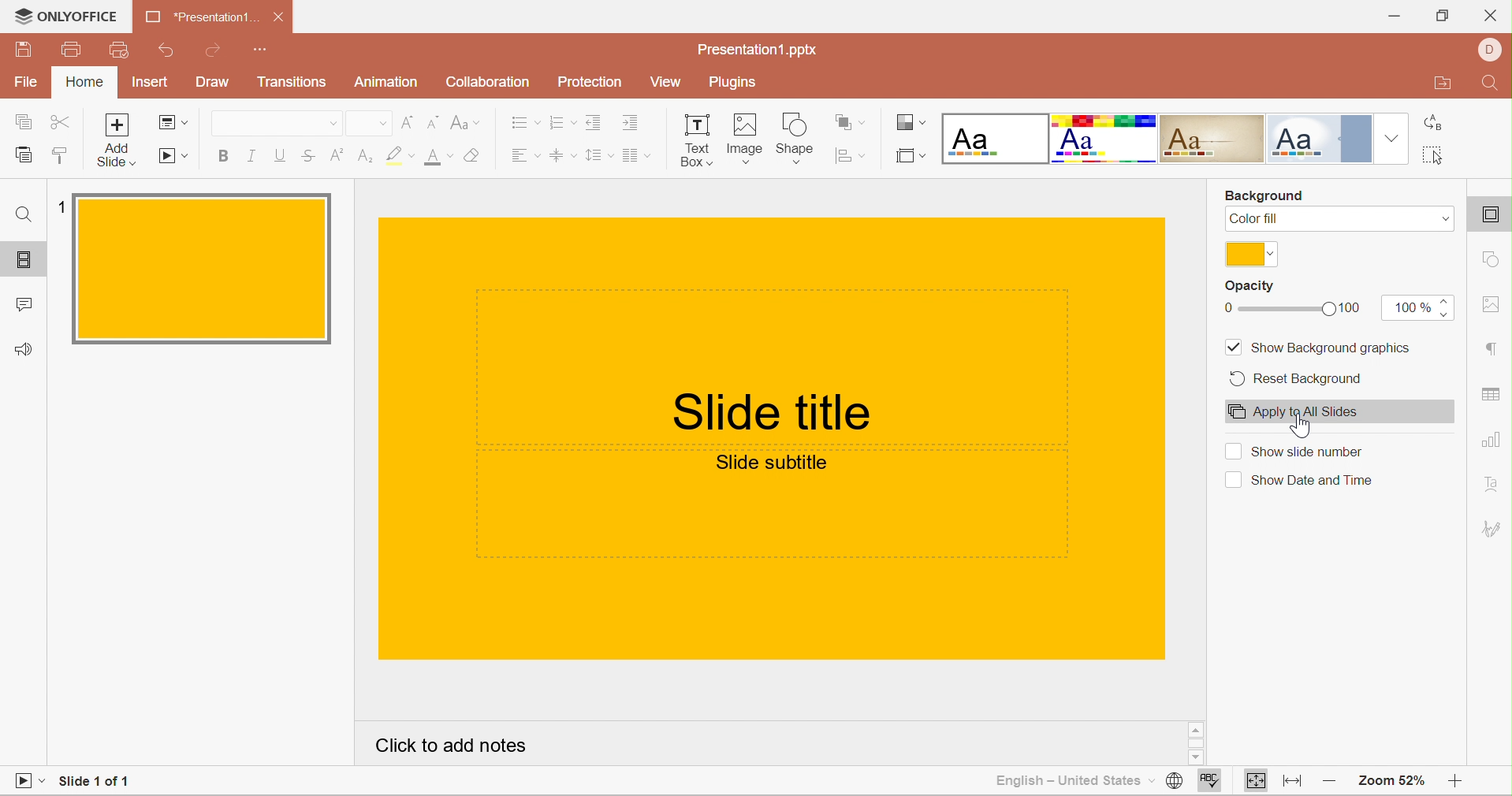 Image resolution: width=1512 pixels, height=796 pixels. What do you see at coordinates (1257, 781) in the screenshot?
I see `Fit to slide` at bounding box center [1257, 781].